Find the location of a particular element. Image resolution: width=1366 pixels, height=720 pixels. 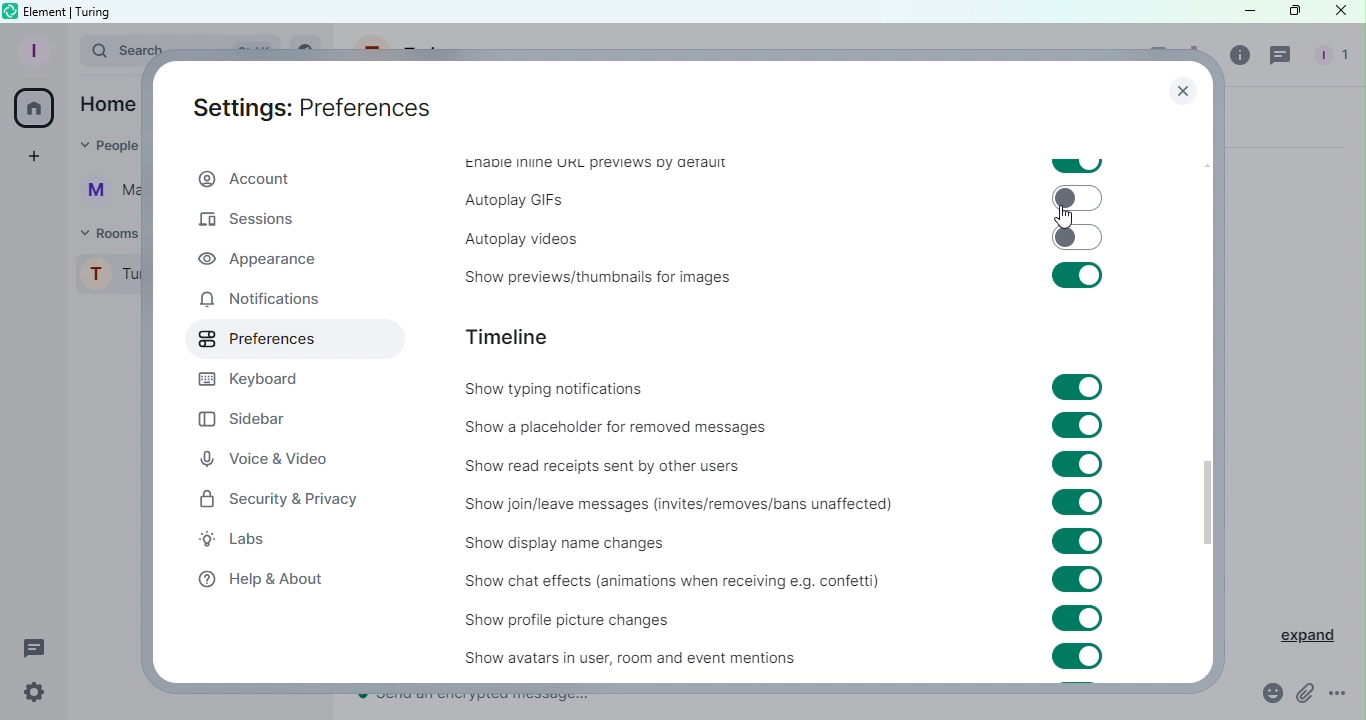

Emoji is located at coordinates (1265, 694).